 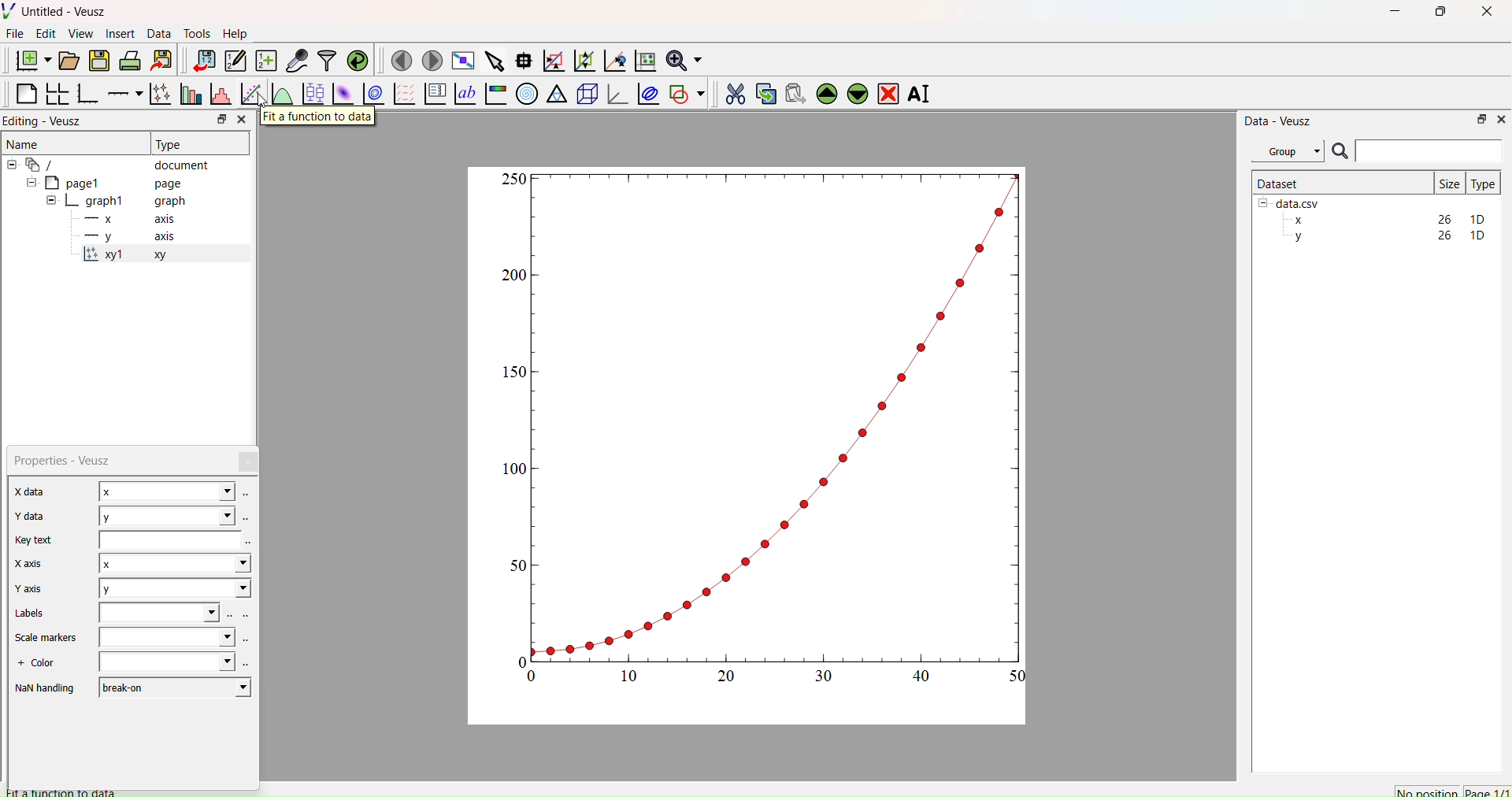 What do you see at coordinates (158, 94) in the screenshot?
I see `Plot points with lines and errorbars` at bounding box center [158, 94].